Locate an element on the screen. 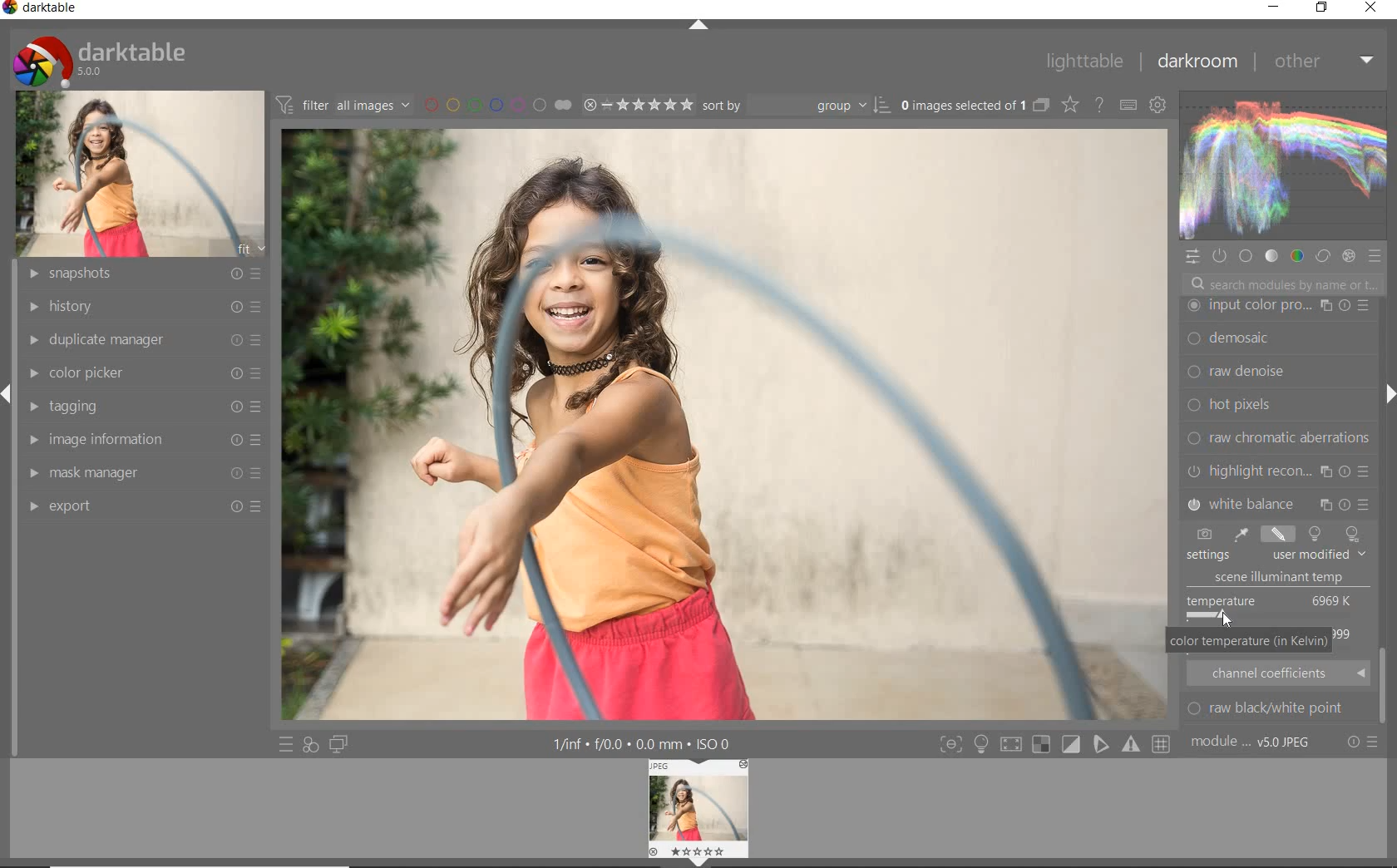 The width and height of the screenshot is (1397, 868). image is located at coordinates (142, 172).